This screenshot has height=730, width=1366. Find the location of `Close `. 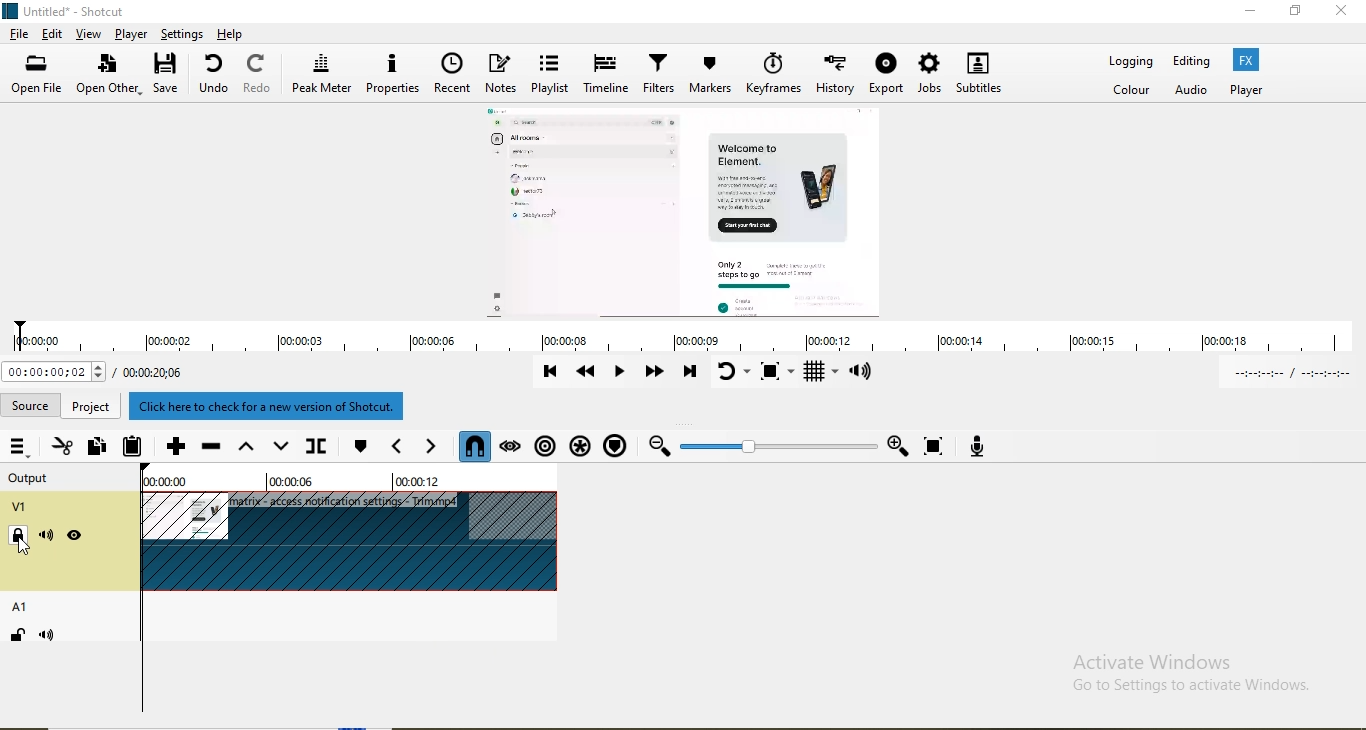

Close  is located at coordinates (1345, 14).